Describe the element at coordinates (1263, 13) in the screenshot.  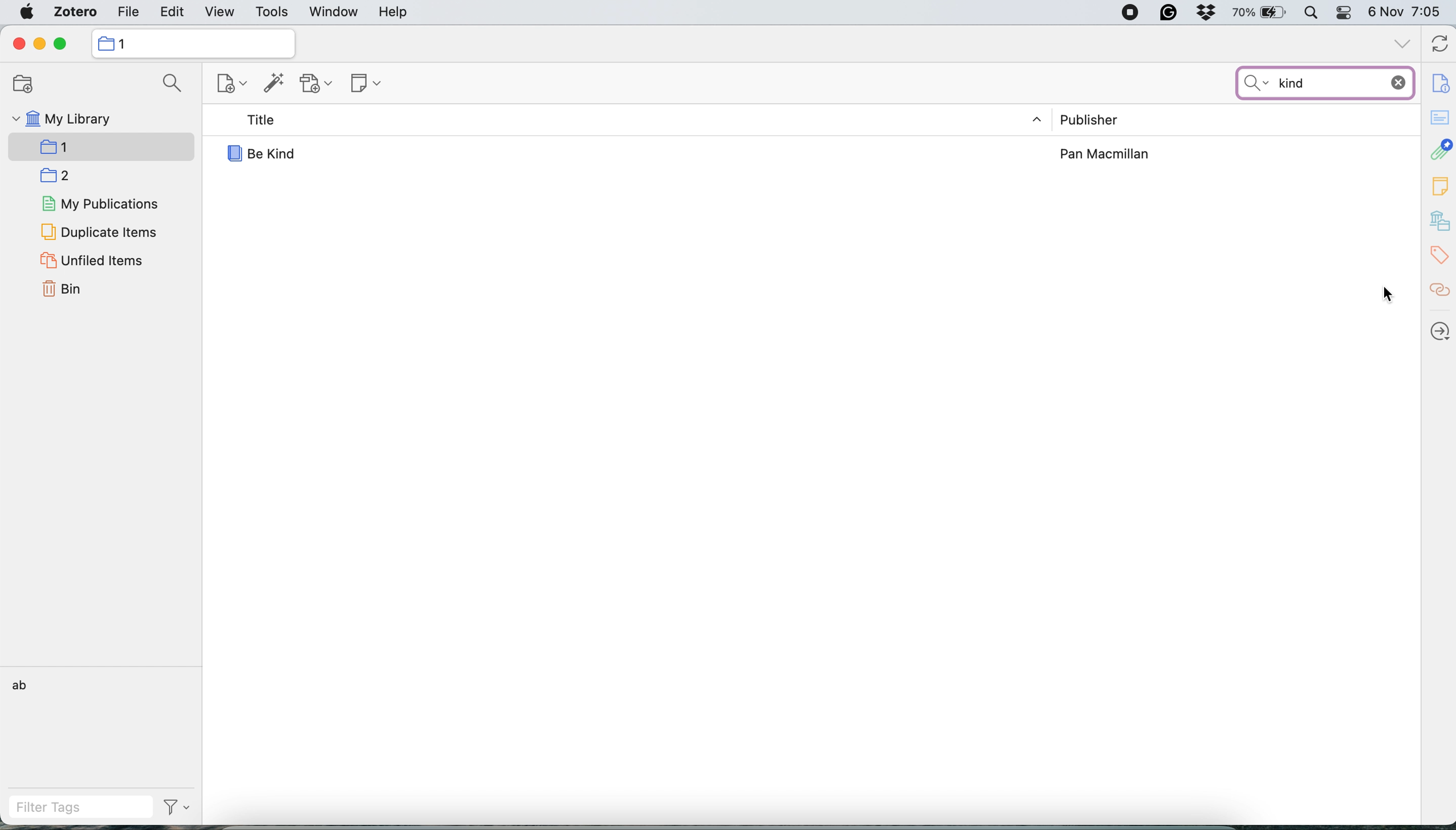
I see `battery` at that location.